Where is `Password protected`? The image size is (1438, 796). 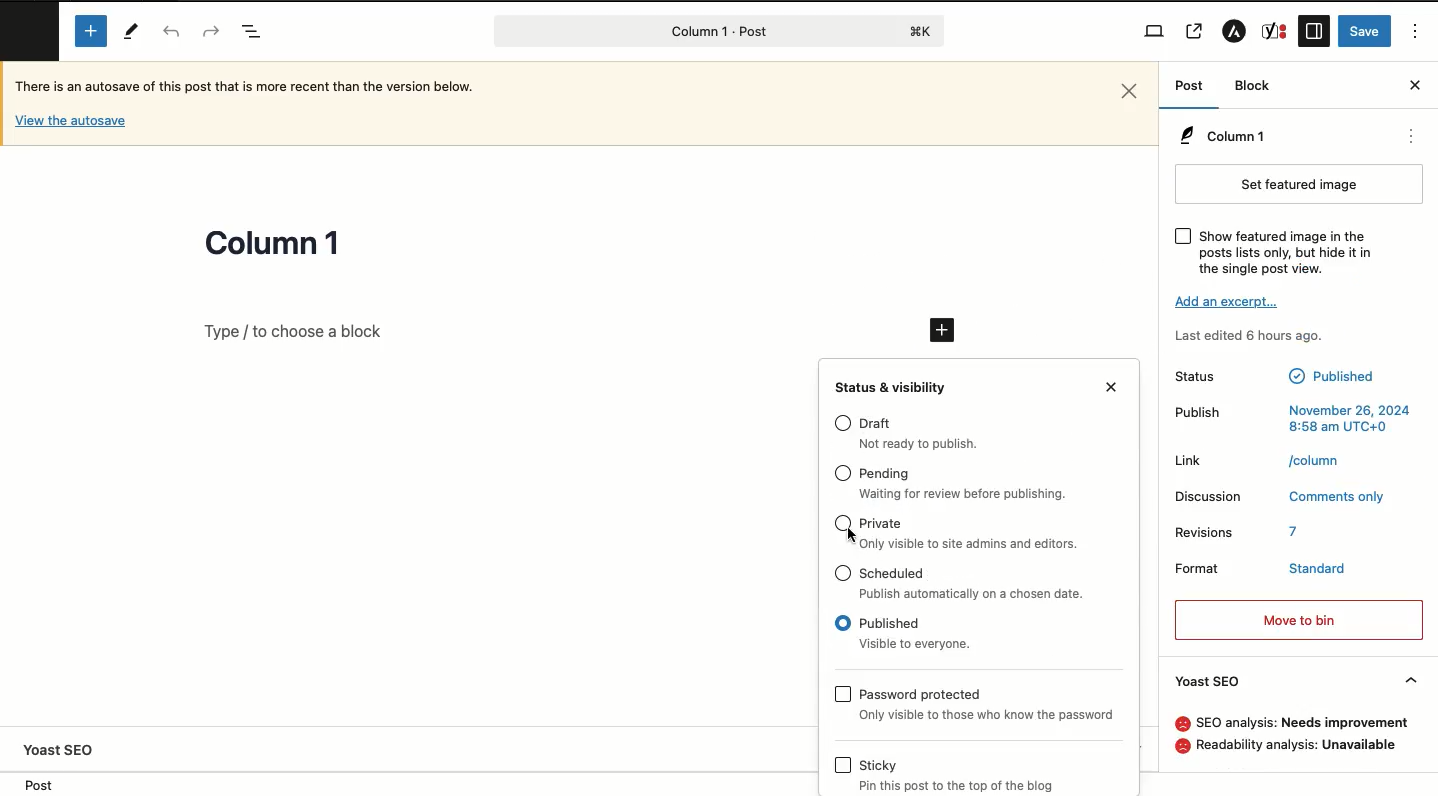
Password protected is located at coordinates (986, 715).